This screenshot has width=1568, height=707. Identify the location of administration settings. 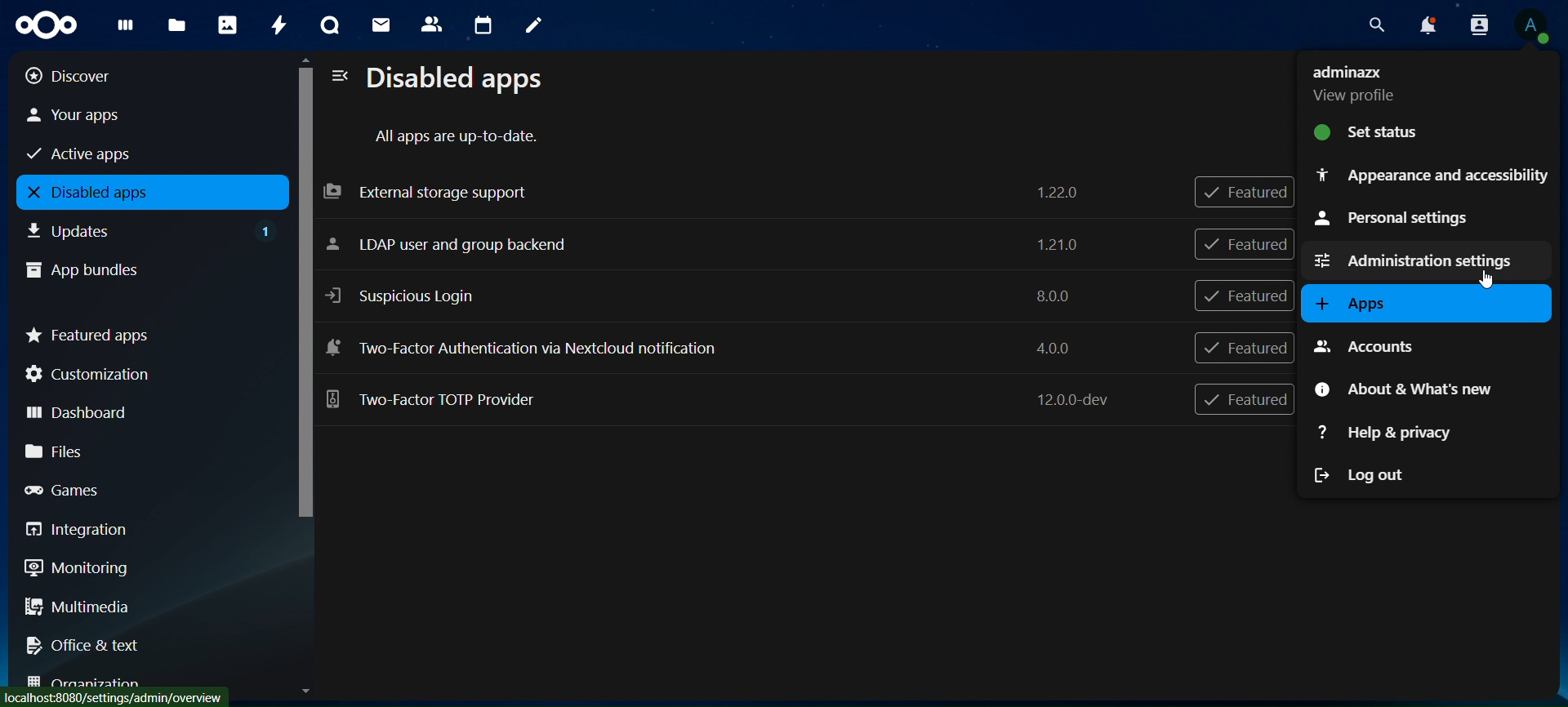
(1415, 258).